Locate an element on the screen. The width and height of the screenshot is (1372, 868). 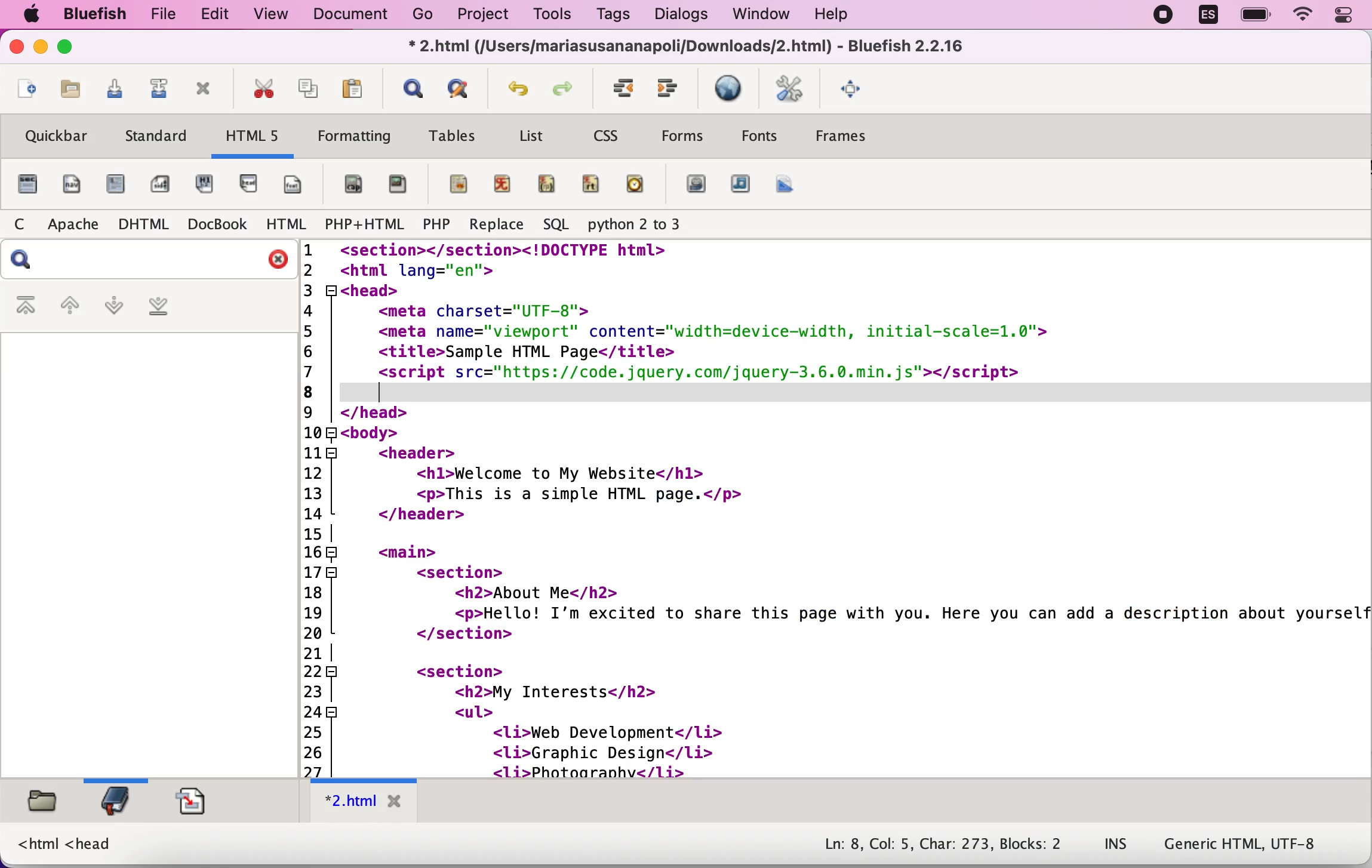
nav is located at coordinates (75, 184).